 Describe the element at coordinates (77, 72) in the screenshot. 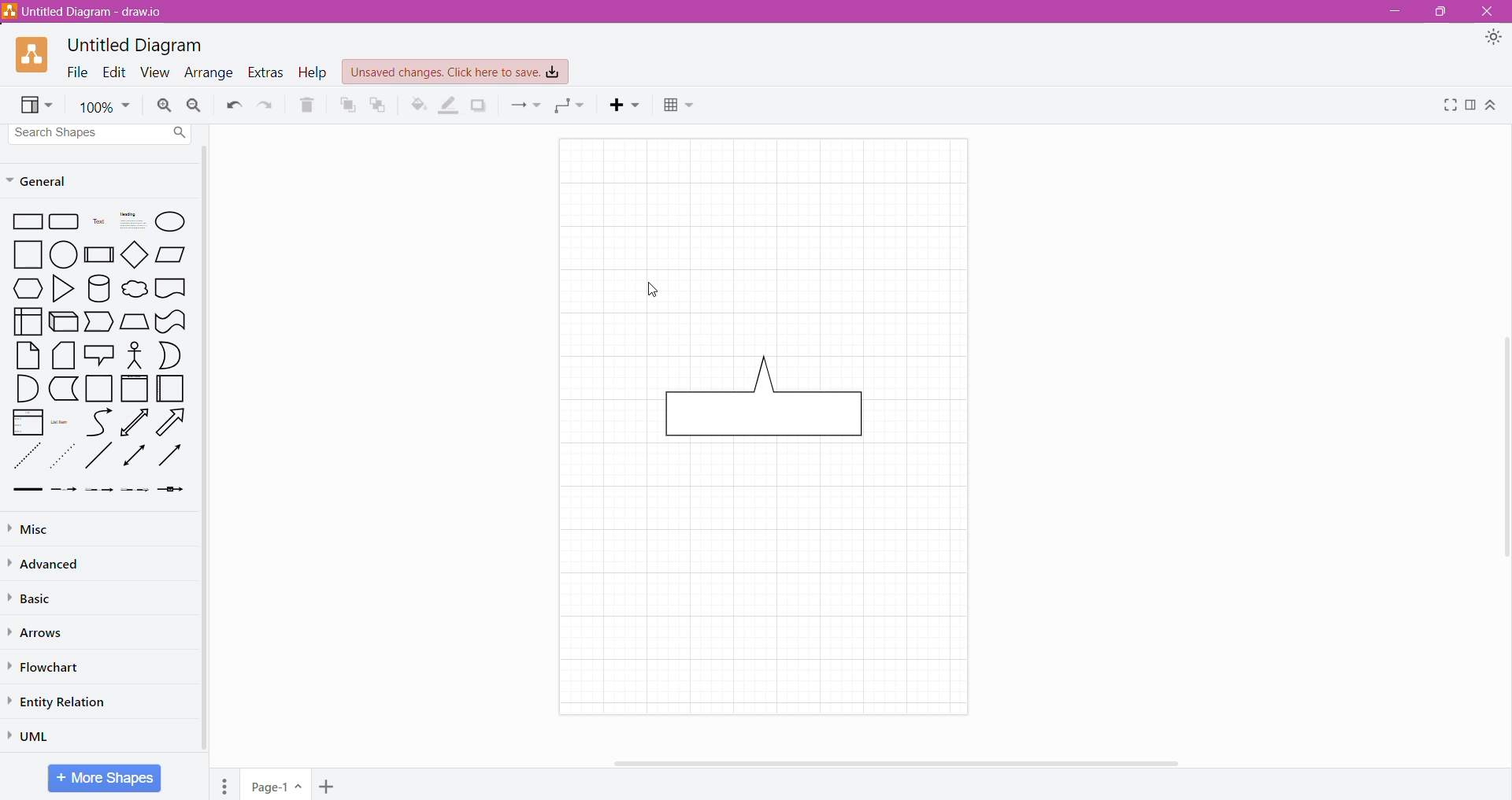

I see `File` at that location.